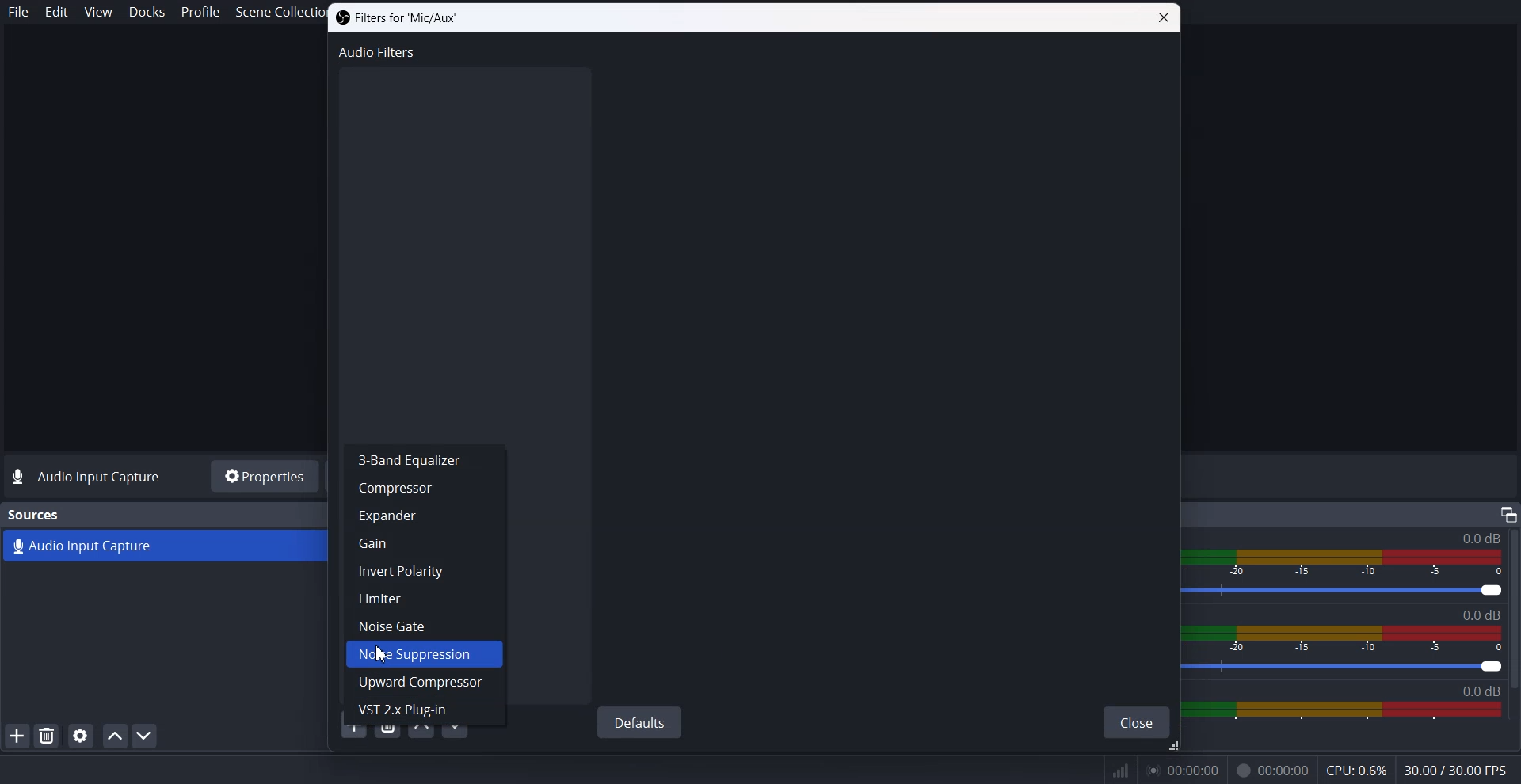  I want to click on 30.00/300, so click(1461, 771).